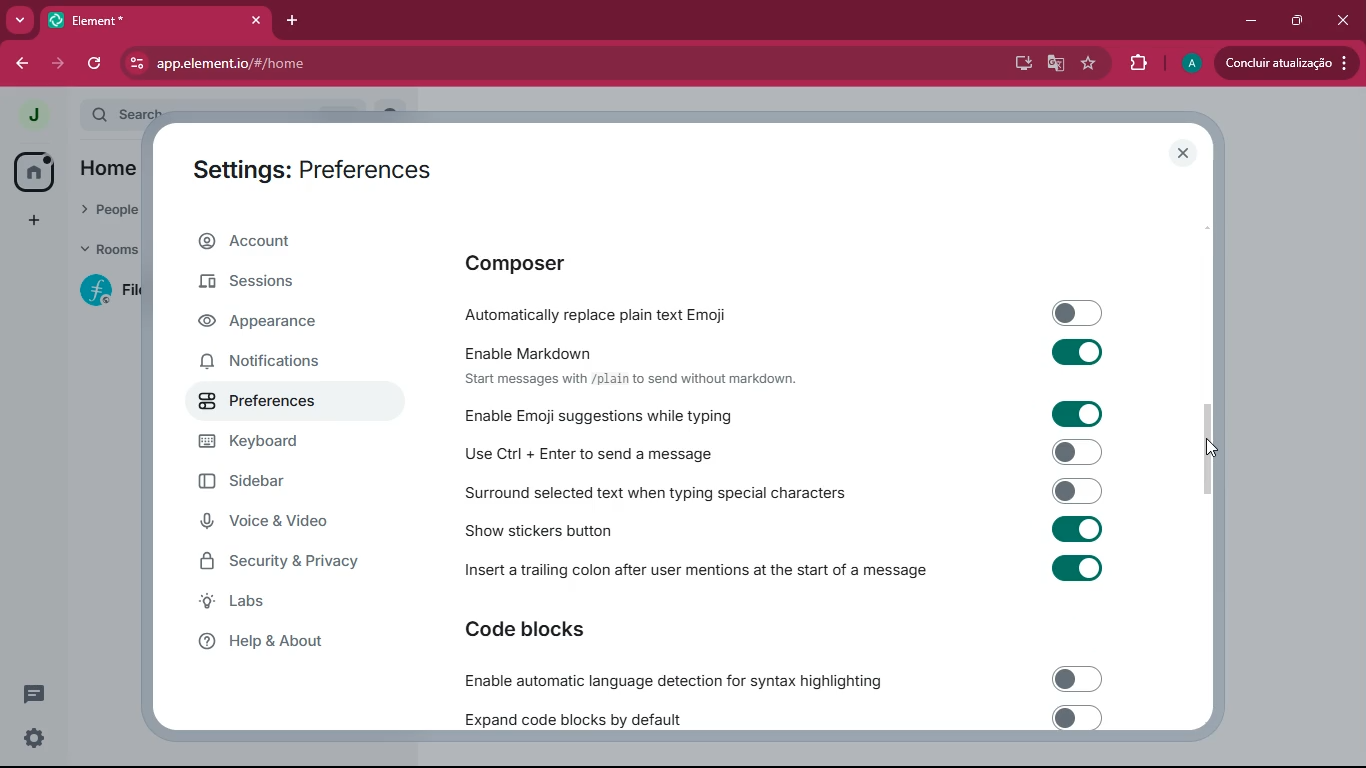  What do you see at coordinates (574, 263) in the screenshot?
I see `composer` at bounding box center [574, 263].